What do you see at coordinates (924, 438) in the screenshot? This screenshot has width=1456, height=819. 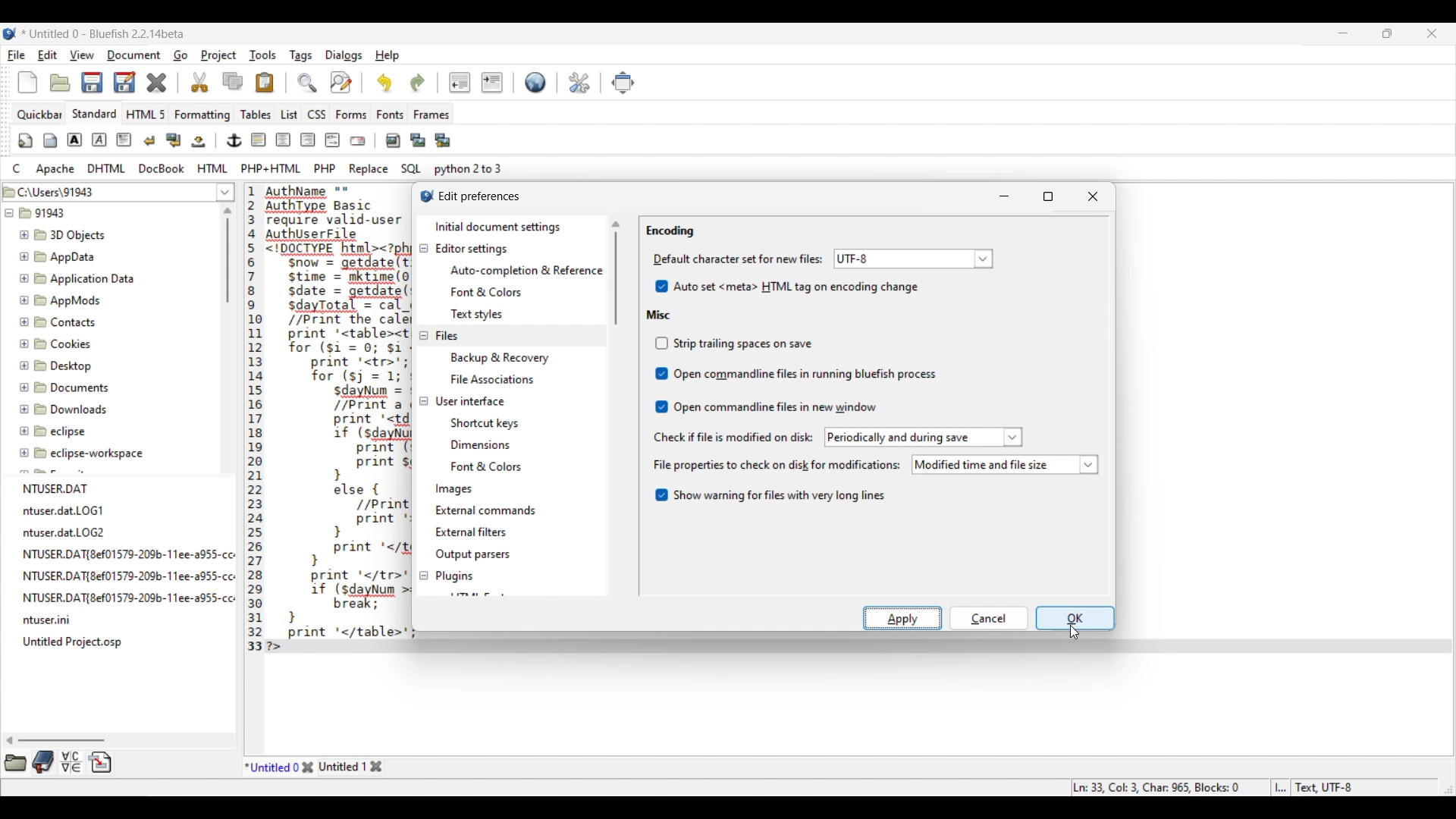 I see `periodically and during save` at bounding box center [924, 438].